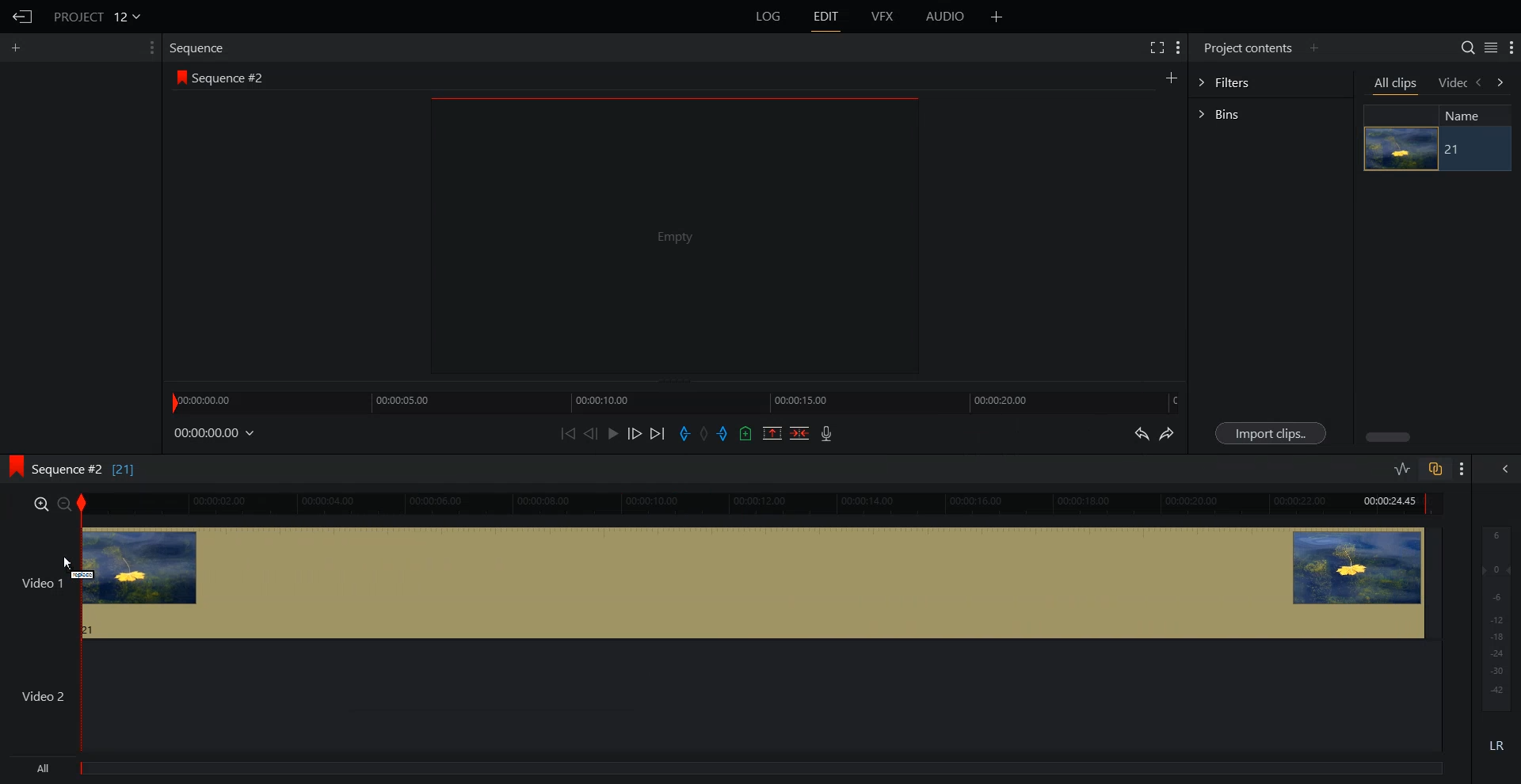  I want to click on backward, so click(1481, 84).